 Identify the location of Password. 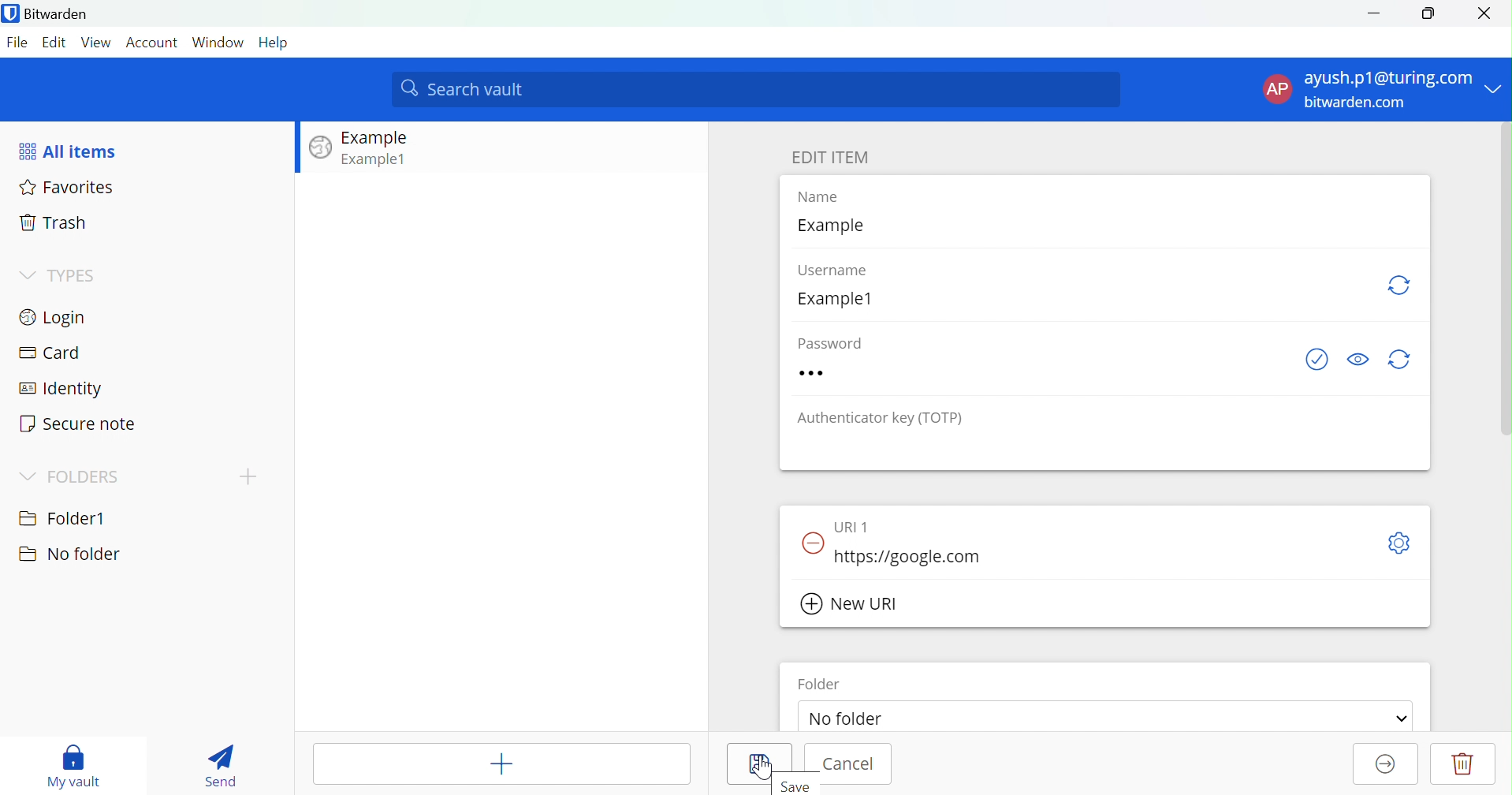
(845, 372).